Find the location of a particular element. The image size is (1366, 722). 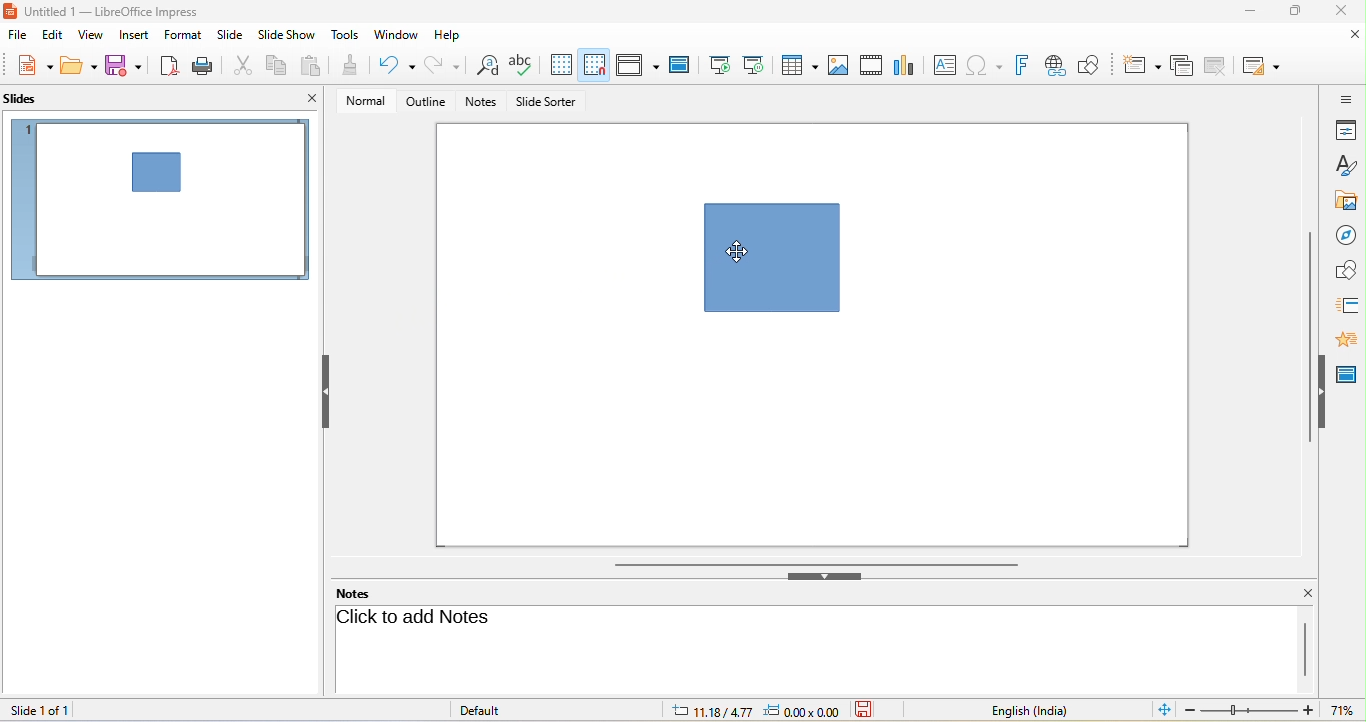

text box is located at coordinates (946, 64).